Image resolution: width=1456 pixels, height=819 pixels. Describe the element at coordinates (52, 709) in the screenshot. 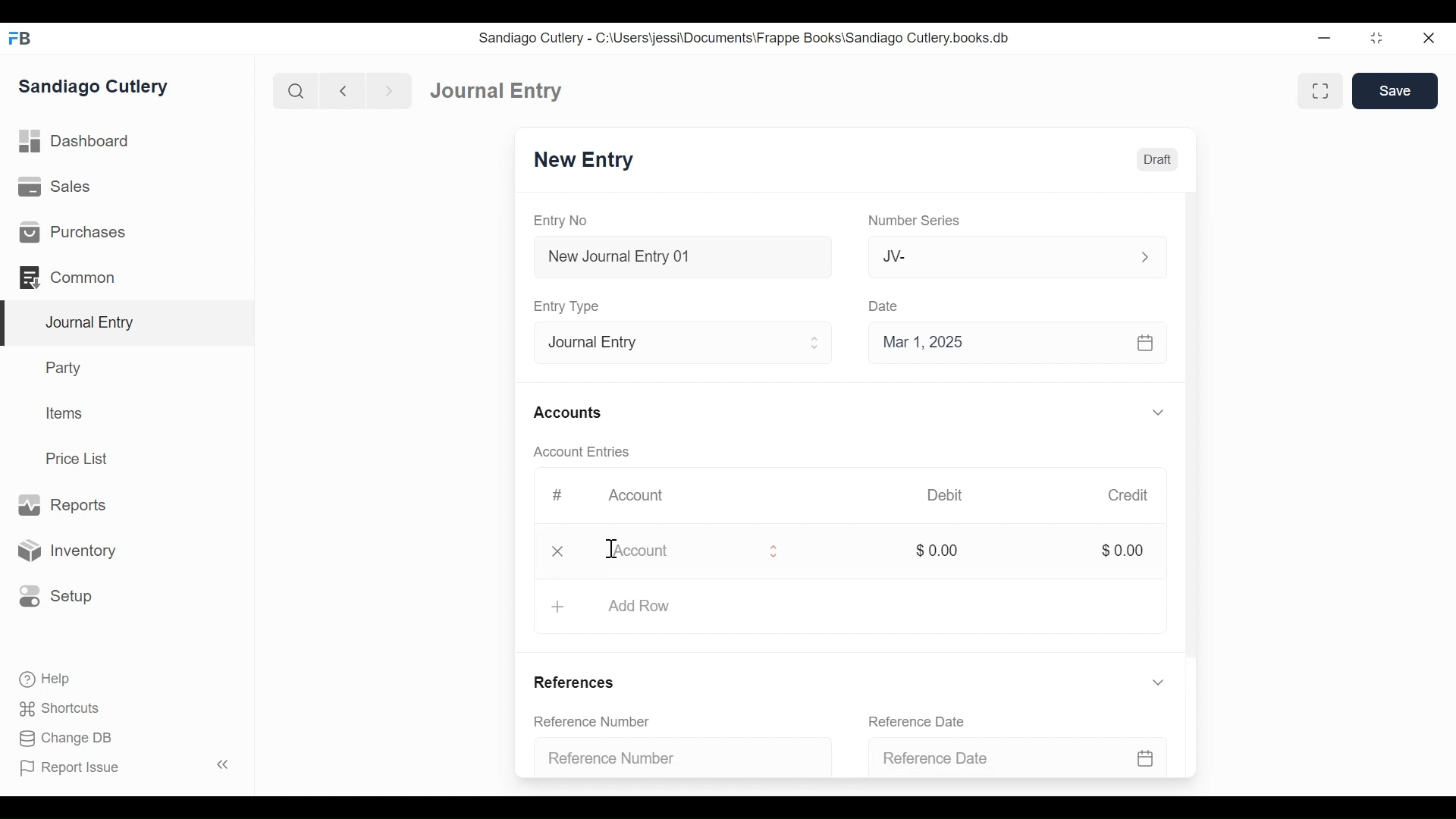

I see `Shortcuts` at that location.